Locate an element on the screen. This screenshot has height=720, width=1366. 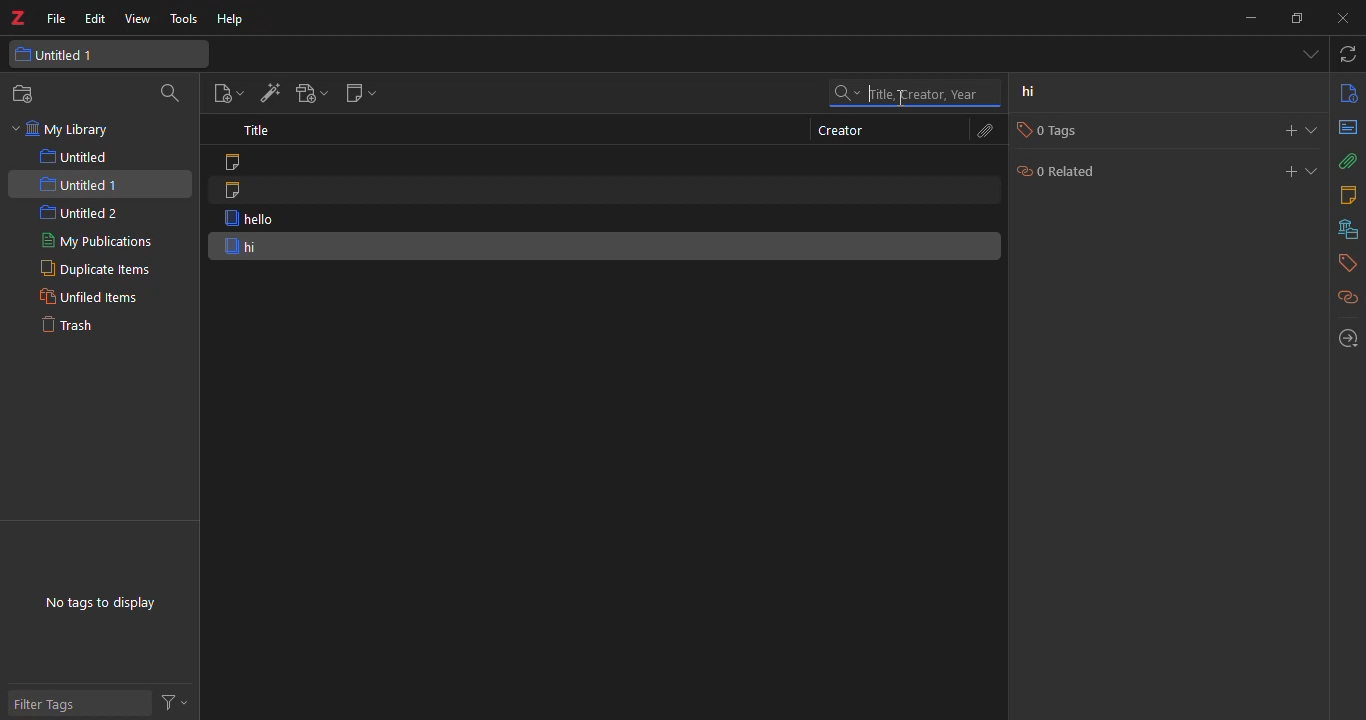
filter tags is located at coordinates (51, 704).